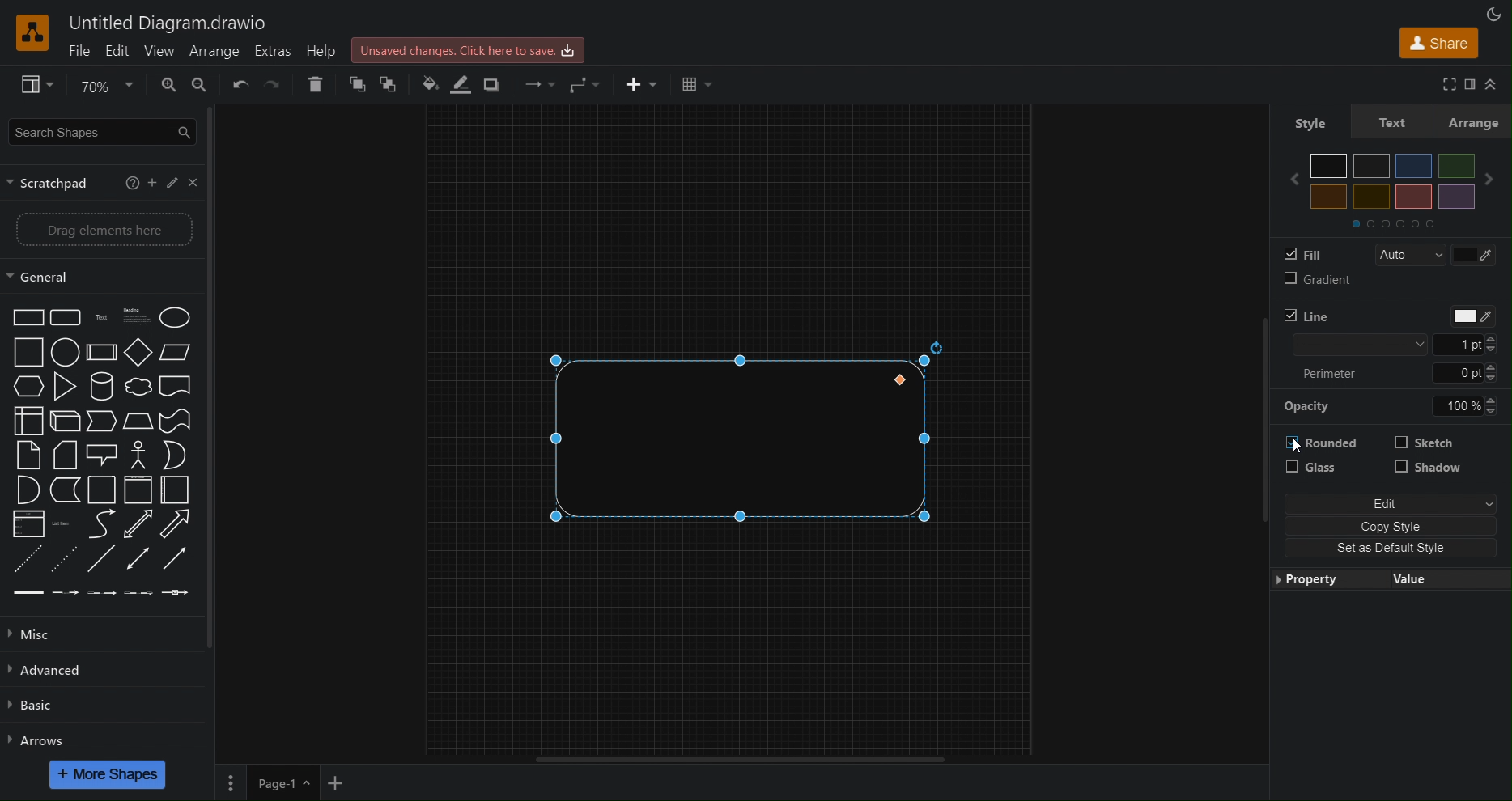 The height and width of the screenshot is (801, 1512). What do you see at coordinates (390, 85) in the screenshot?
I see `Send Front` at bounding box center [390, 85].